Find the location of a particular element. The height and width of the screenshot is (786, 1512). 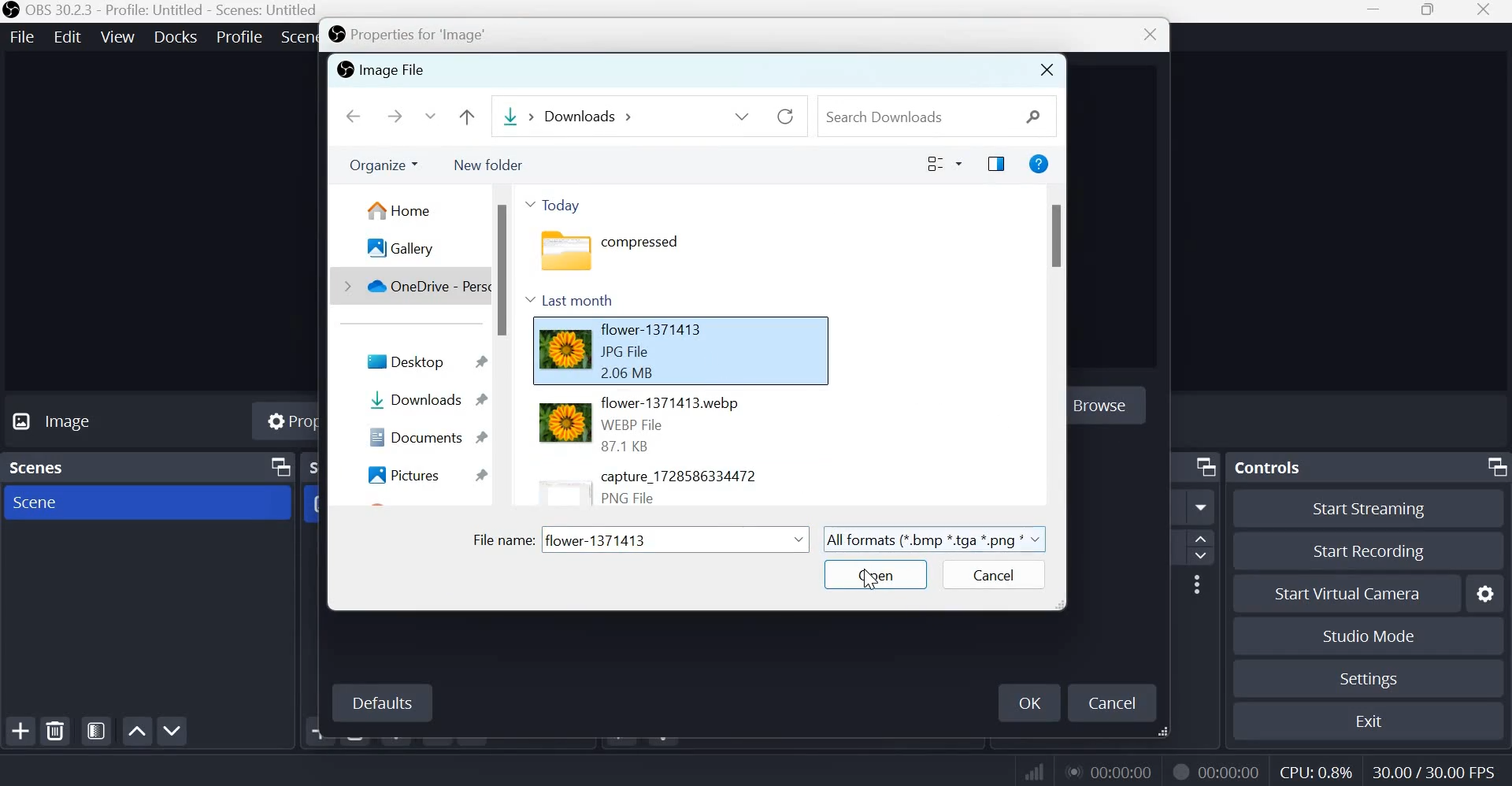

Back to home is located at coordinates (352, 116).